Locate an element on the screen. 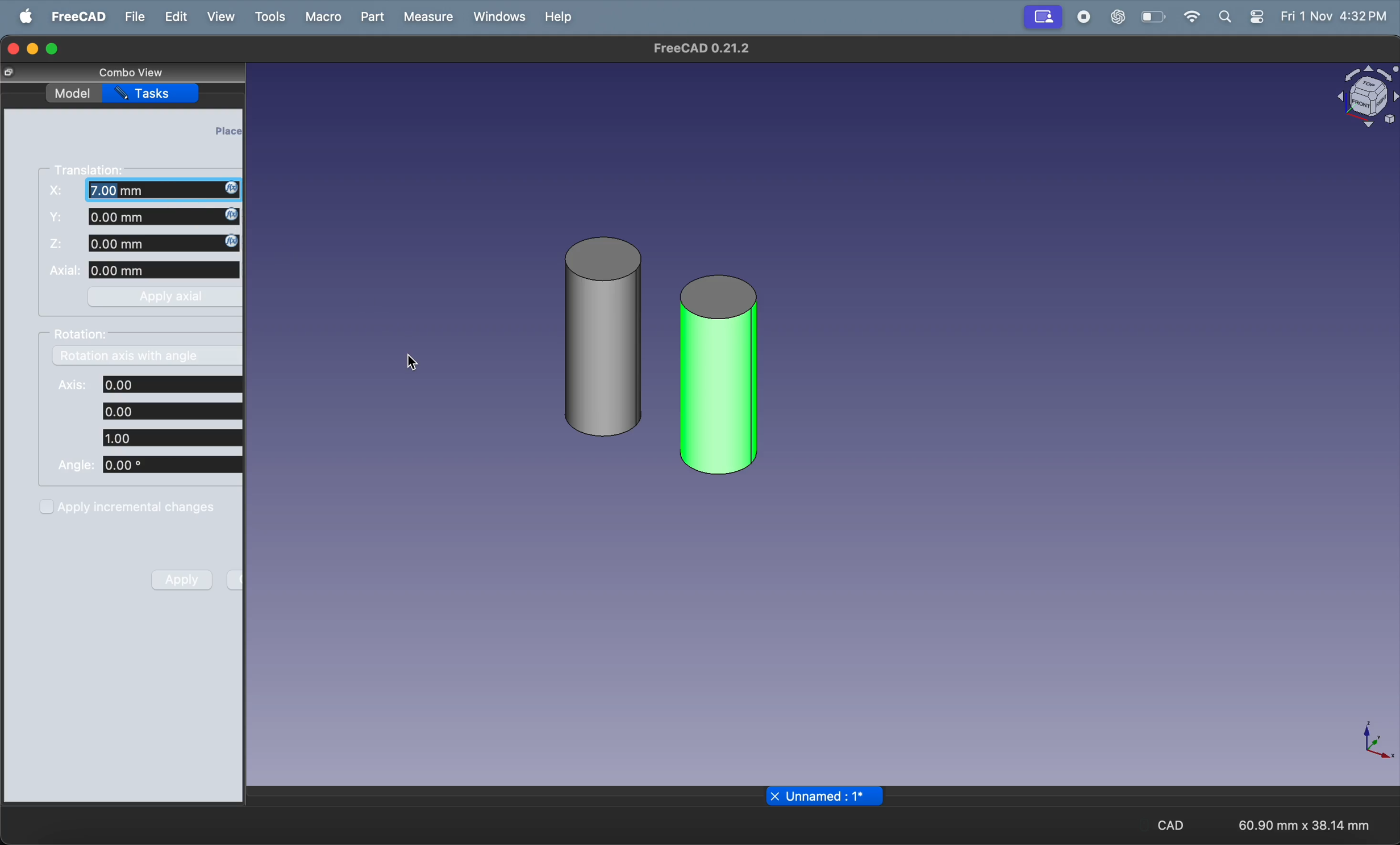 The width and height of the screenshot is (1400, 845). freeCad  0.21.2 is located at coordinates (701, 48).